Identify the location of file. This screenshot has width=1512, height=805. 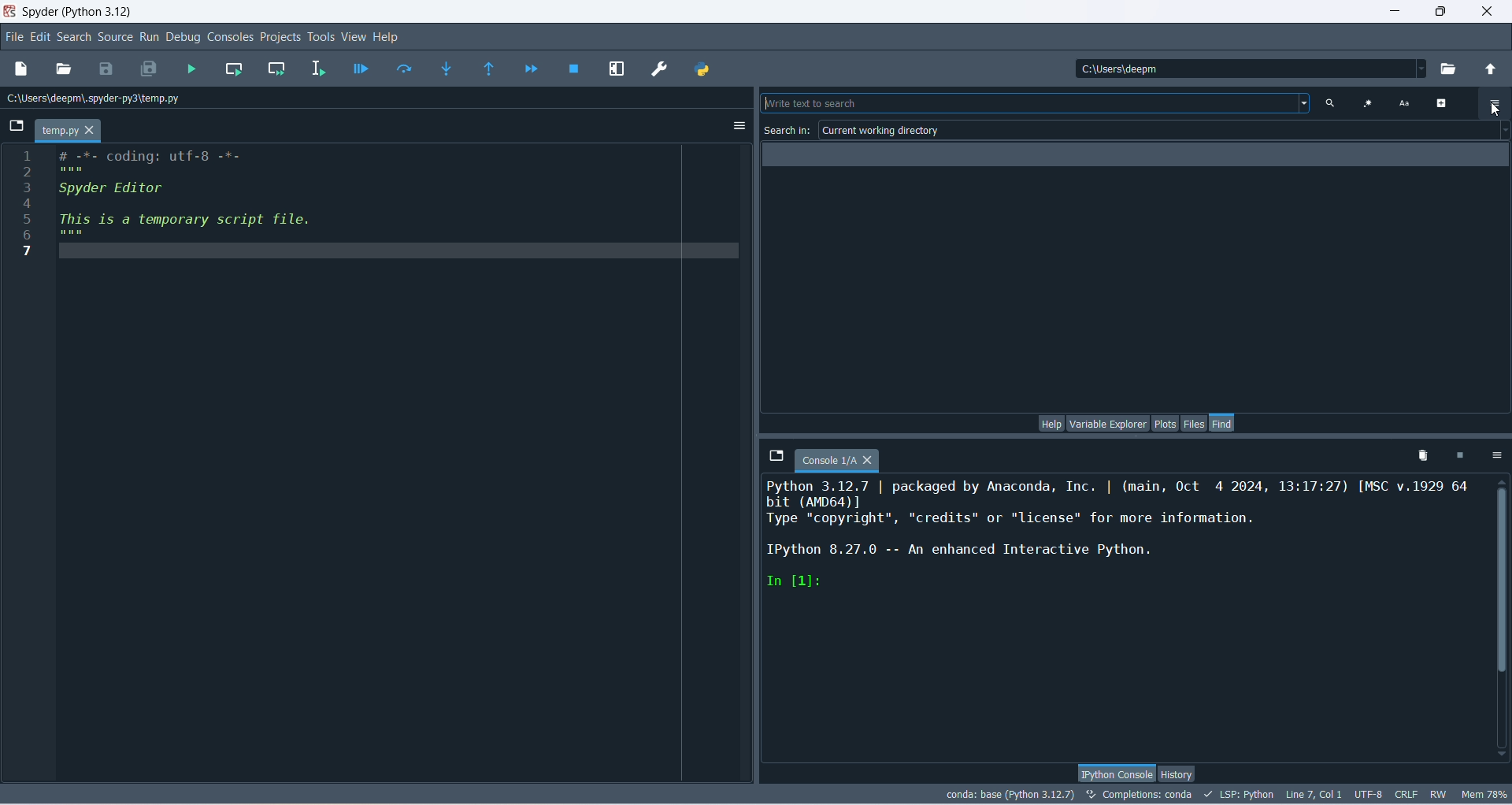
(13, 36).